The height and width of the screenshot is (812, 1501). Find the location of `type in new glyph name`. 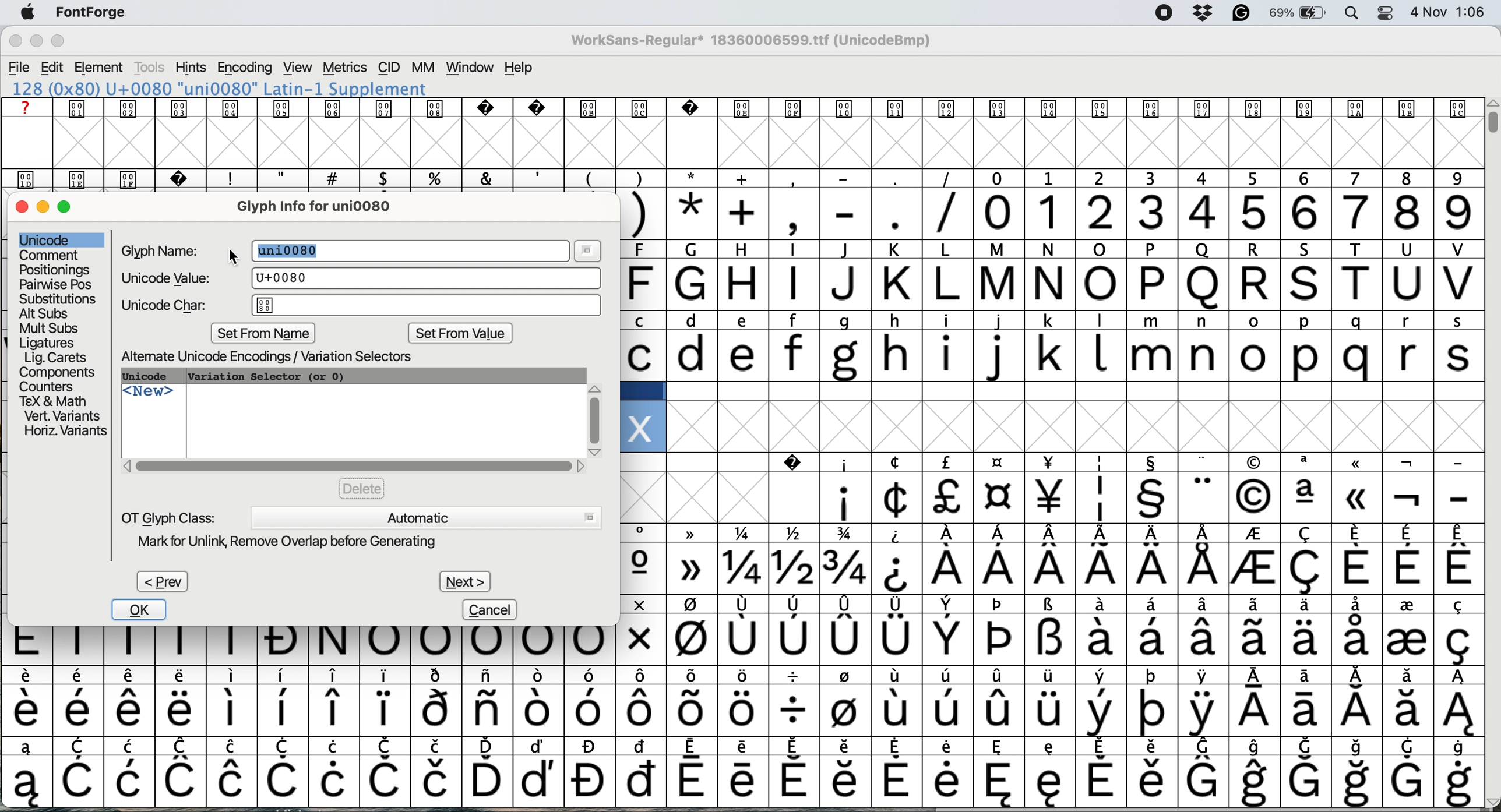

type in new glyph name is located at coordinates (298, 250).